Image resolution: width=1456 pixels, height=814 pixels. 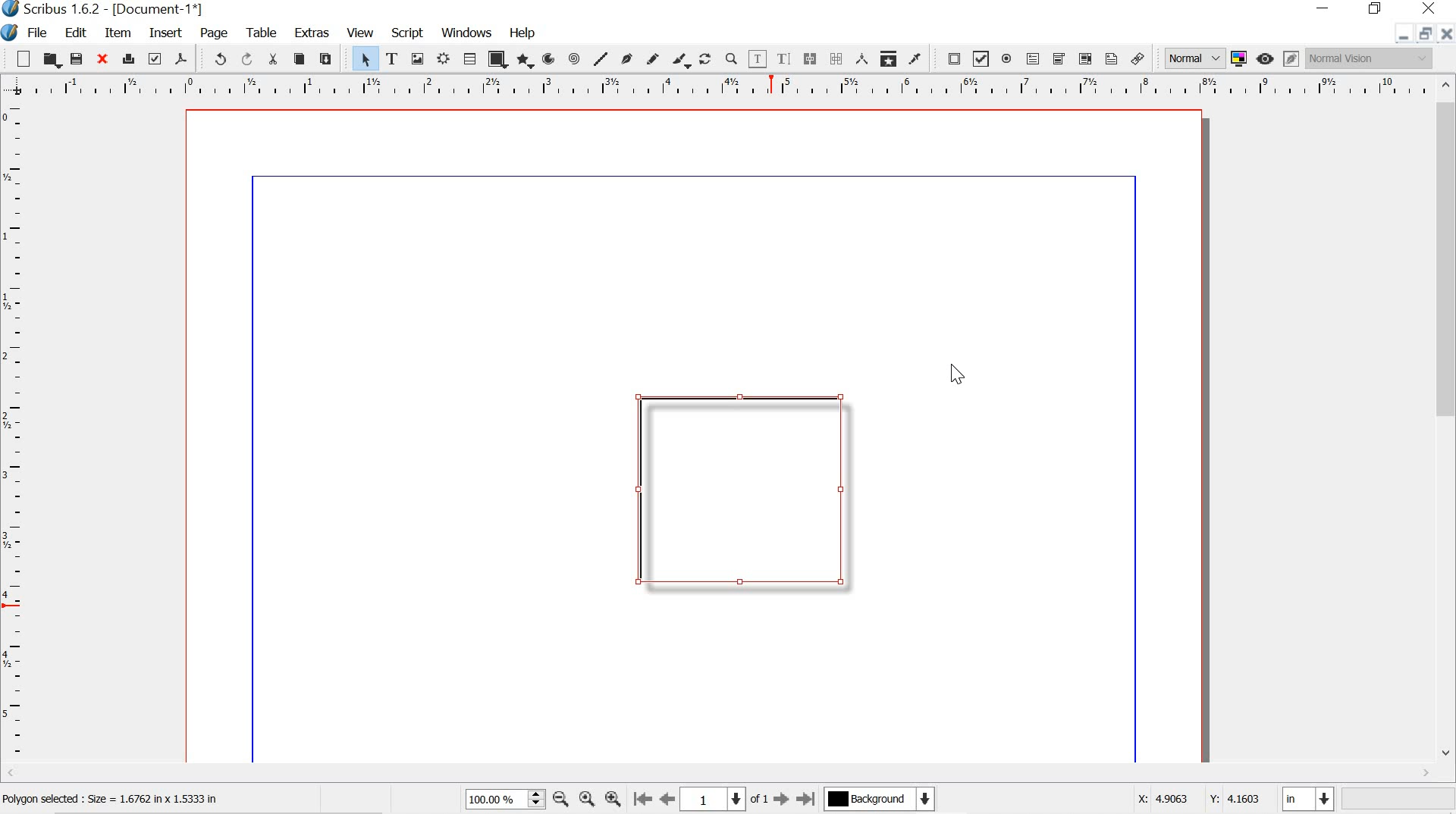 What do you see at coordinates (1006, 61) in the screenshot?
I see `pdf radio button` at bounding box center [1006, 61].